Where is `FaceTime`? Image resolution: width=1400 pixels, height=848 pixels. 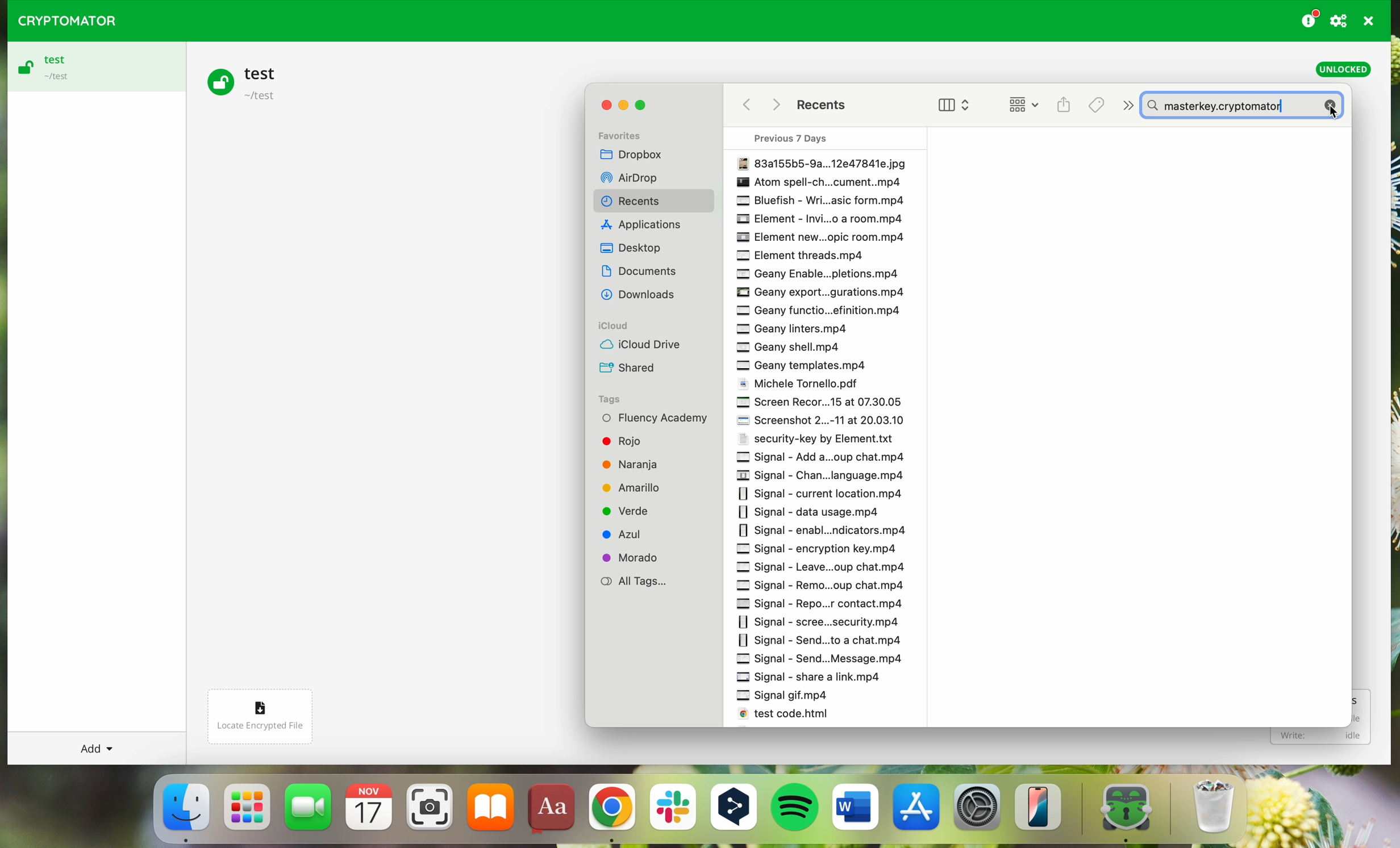 FaceTime is located at coordinates (310, 811).